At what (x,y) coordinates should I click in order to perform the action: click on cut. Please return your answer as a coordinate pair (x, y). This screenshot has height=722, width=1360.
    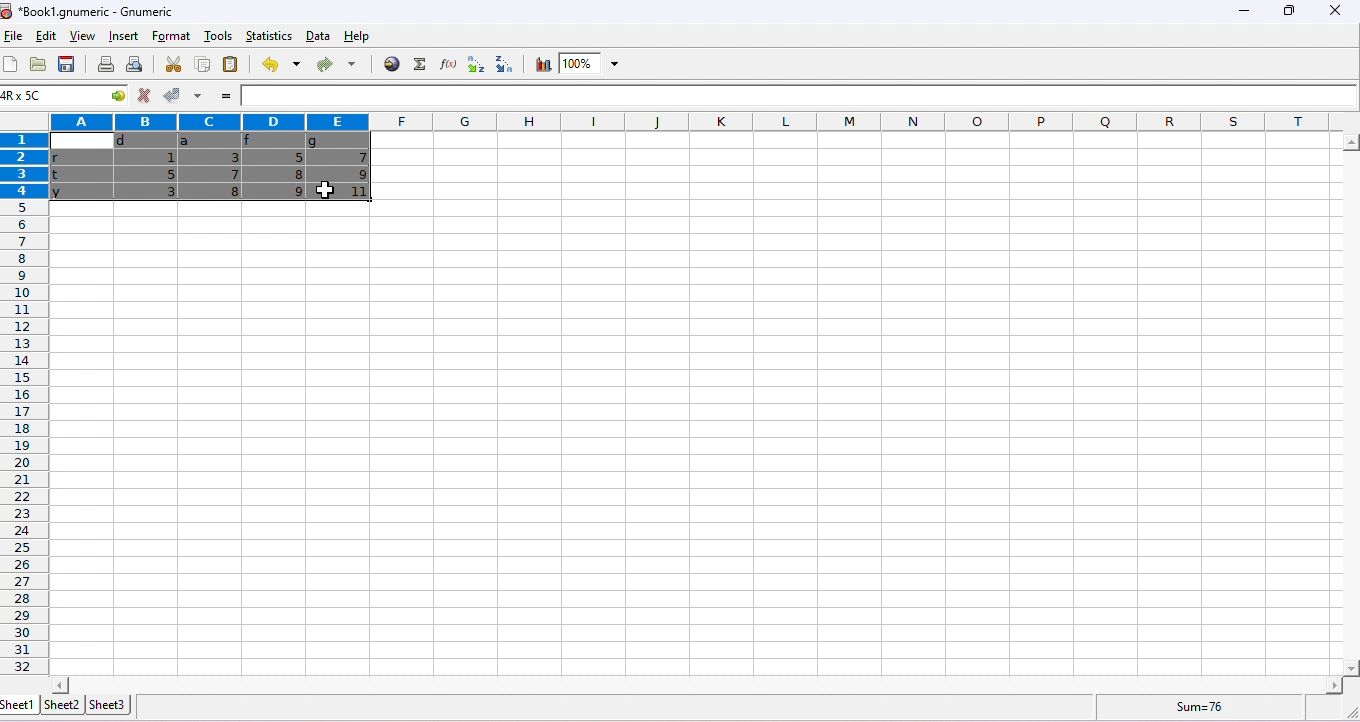
    Looking at the image, I should click on (174, 64).